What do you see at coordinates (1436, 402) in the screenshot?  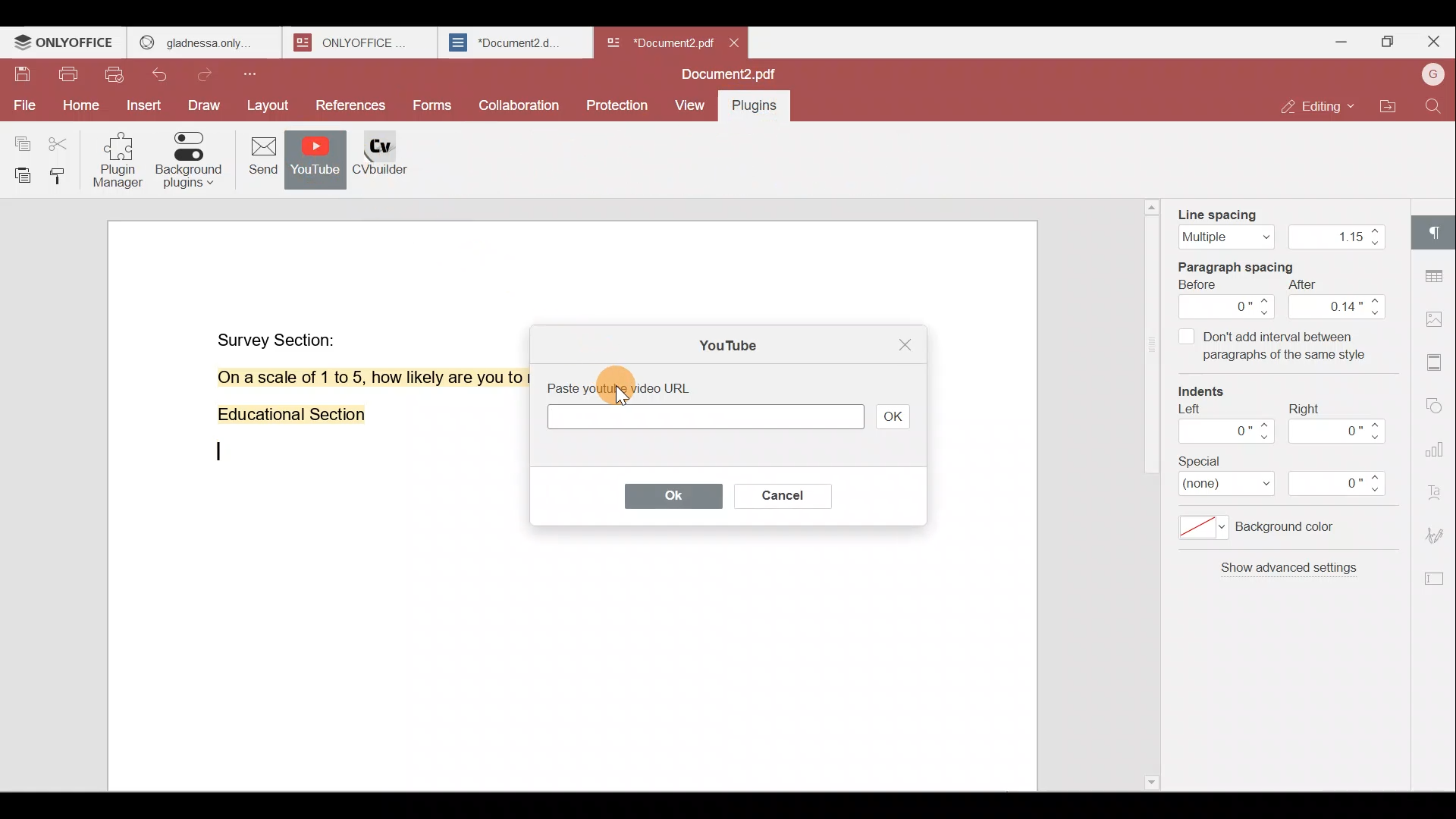 I see `Shapes settings` at bounding box center [1436, 402].